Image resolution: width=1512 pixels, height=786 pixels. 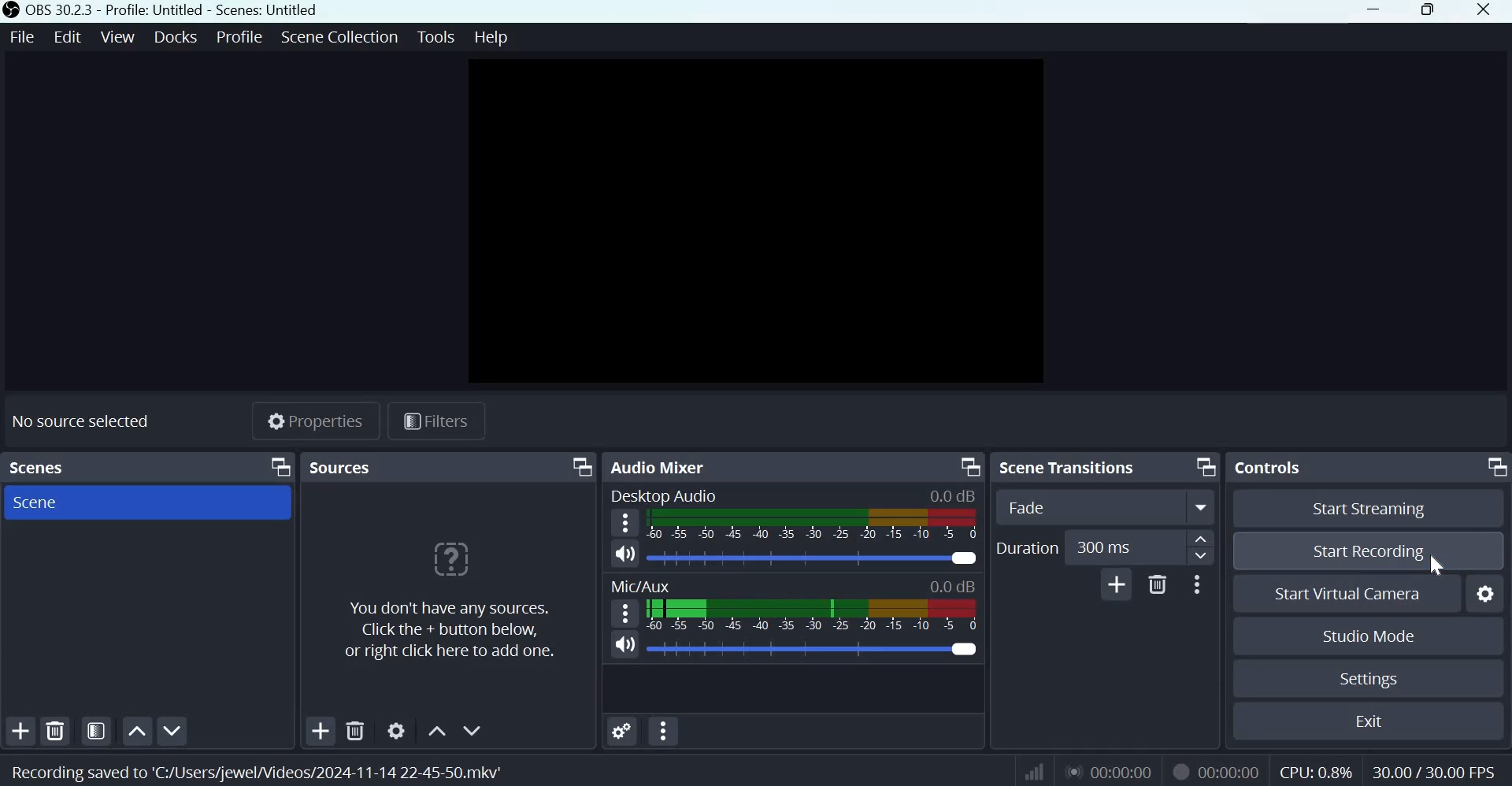 What do you see at coordinates (661, 732) in the screenshot?
I see `Audio Mixer Menu` at bounding box center [661, 732].